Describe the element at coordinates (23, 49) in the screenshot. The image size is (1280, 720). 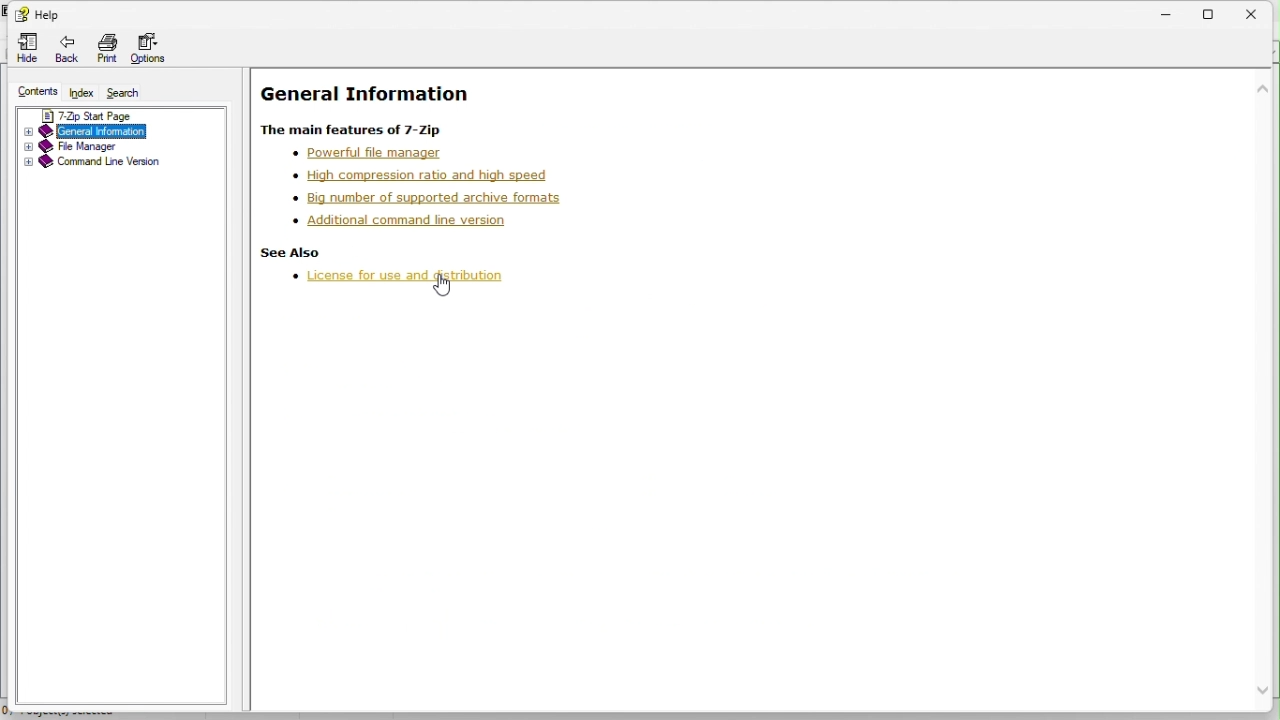
I see `hide` at that location.